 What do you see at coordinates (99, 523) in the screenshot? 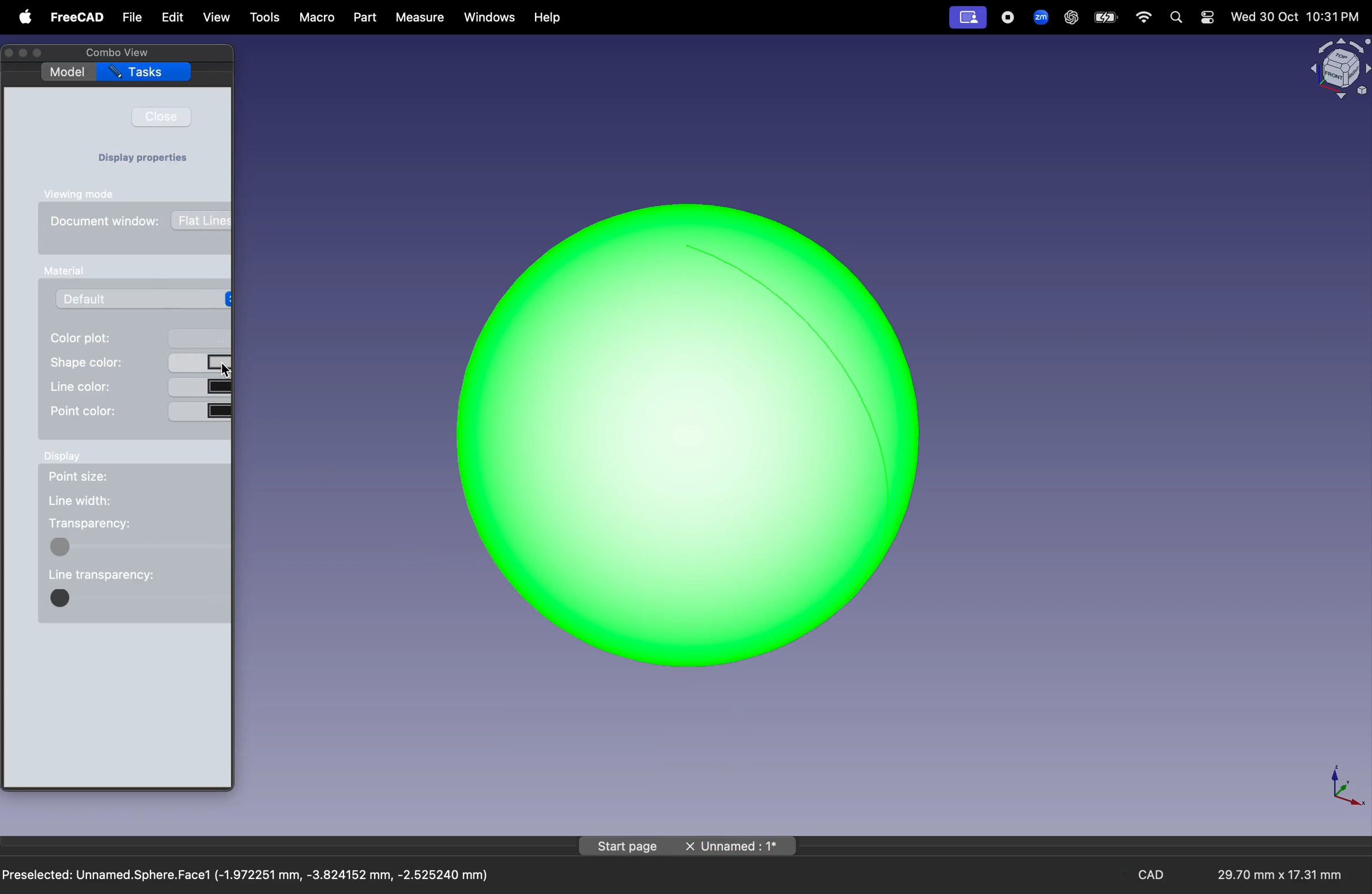
I see `transparency` at bounding box center [99, 523].